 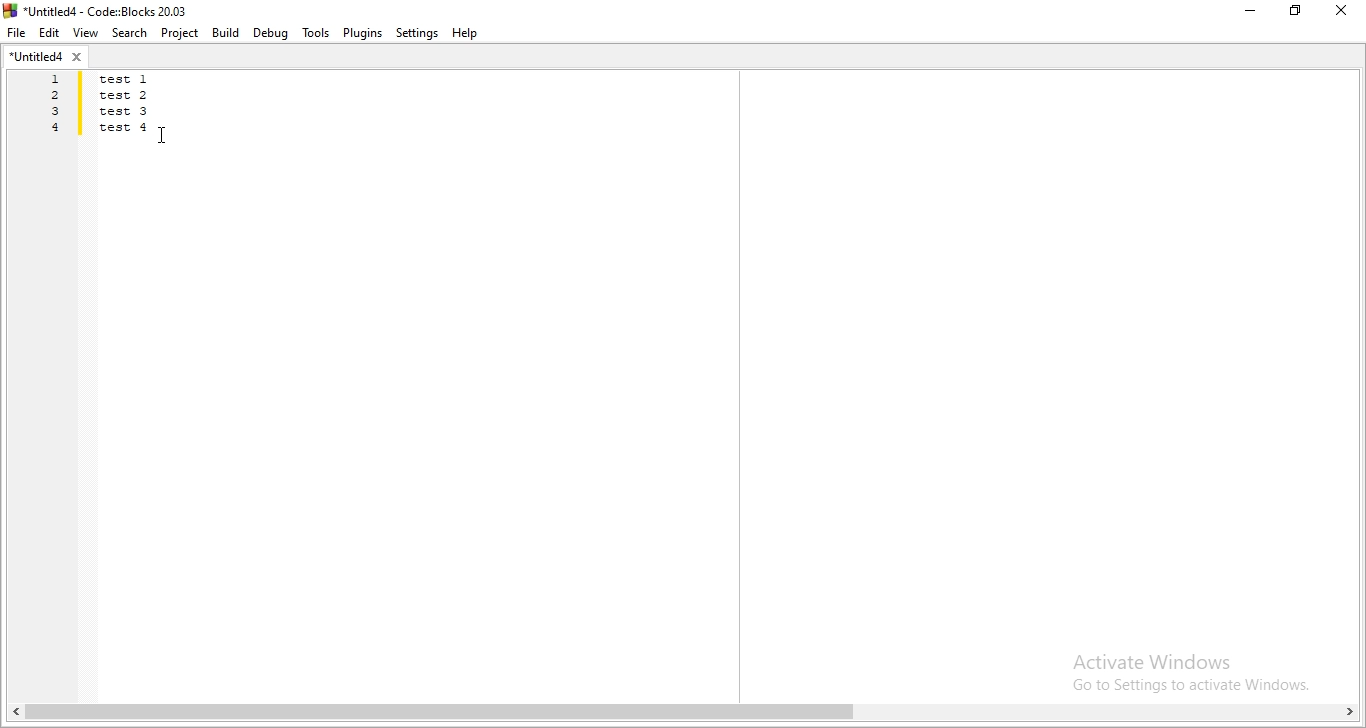 What do you see at coordinates (48, 59) in the screenshot?
I see `untitled4` at bounding box center [48, 59].